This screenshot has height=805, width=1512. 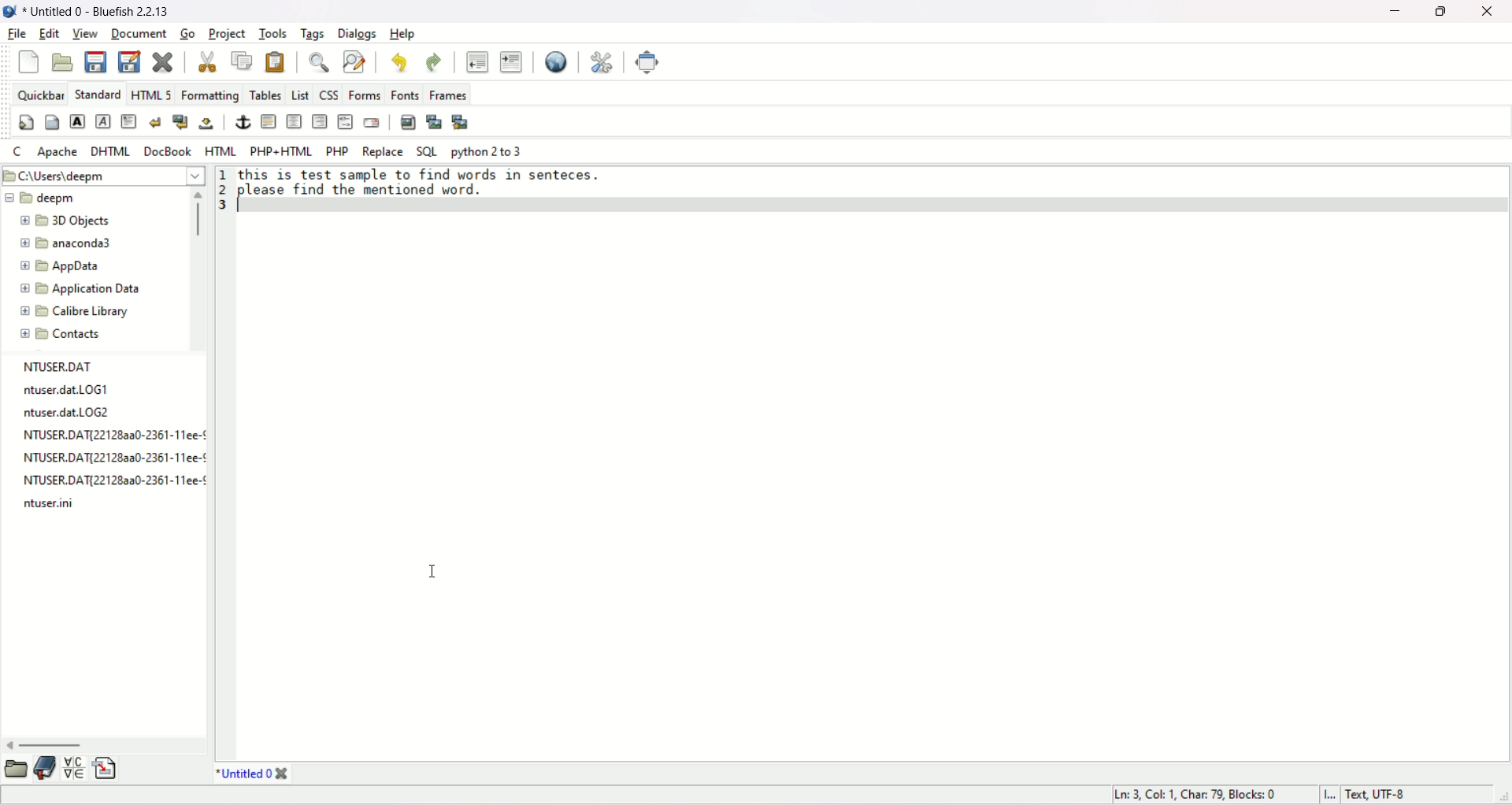 I want to click on 3D objects, so click(x=64, y=218).